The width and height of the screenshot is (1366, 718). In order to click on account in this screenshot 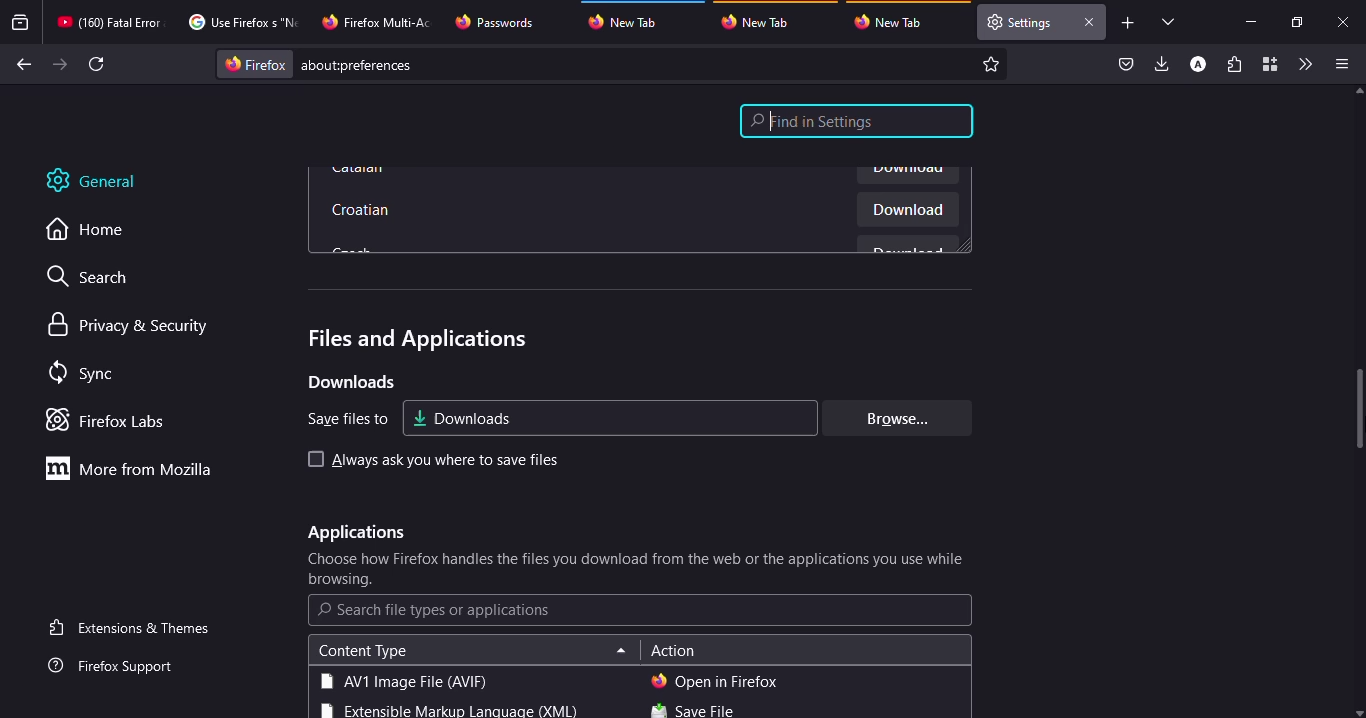, I will do `click(1198, 65)`.